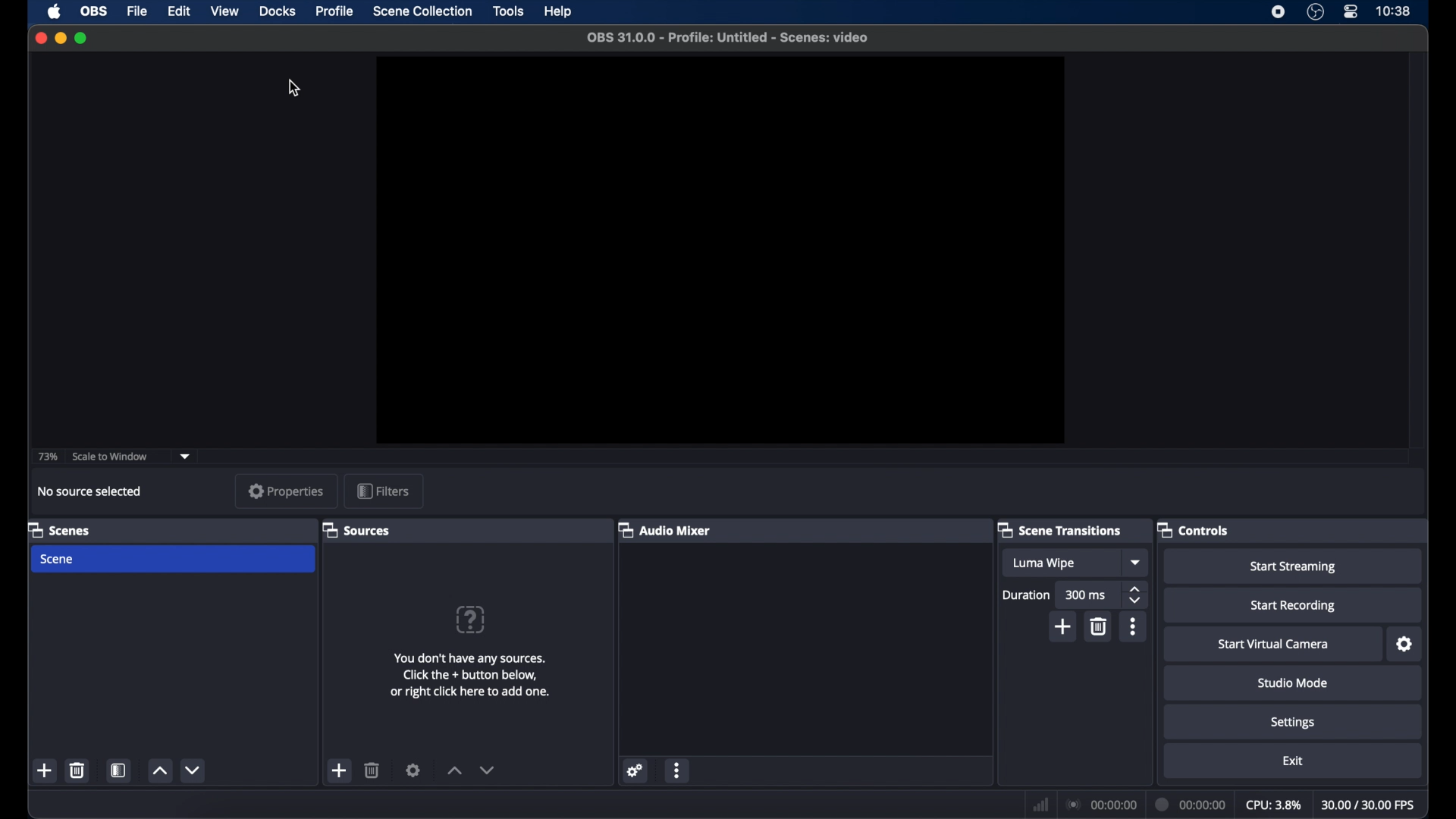 This screenshot has width=1456, height=819. Describe the element at coordinates (356, 531) in the screenshot. I see `sources` at that location.